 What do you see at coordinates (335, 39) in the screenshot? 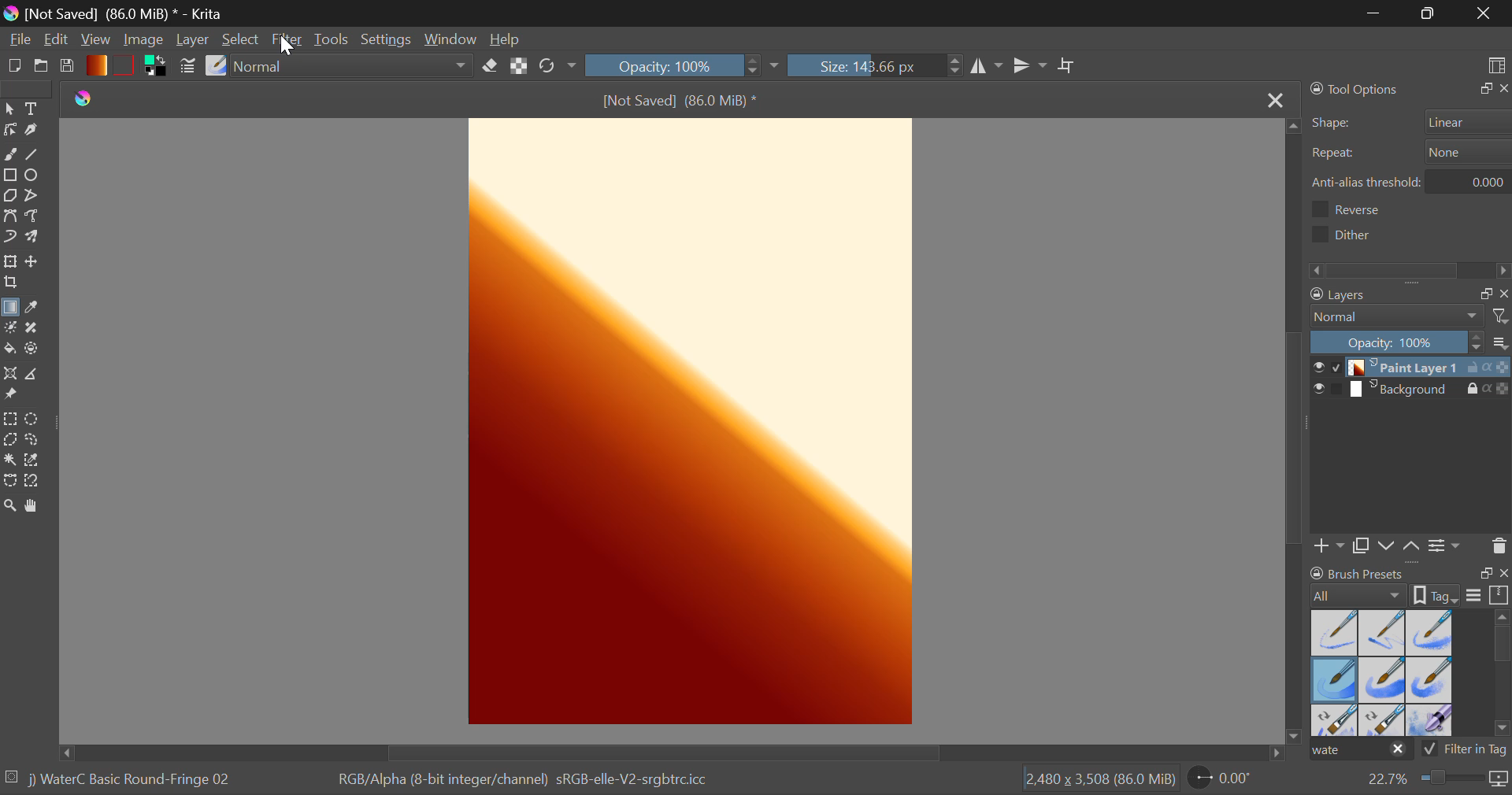
I see `Tools` at bounding box center [335, 39].